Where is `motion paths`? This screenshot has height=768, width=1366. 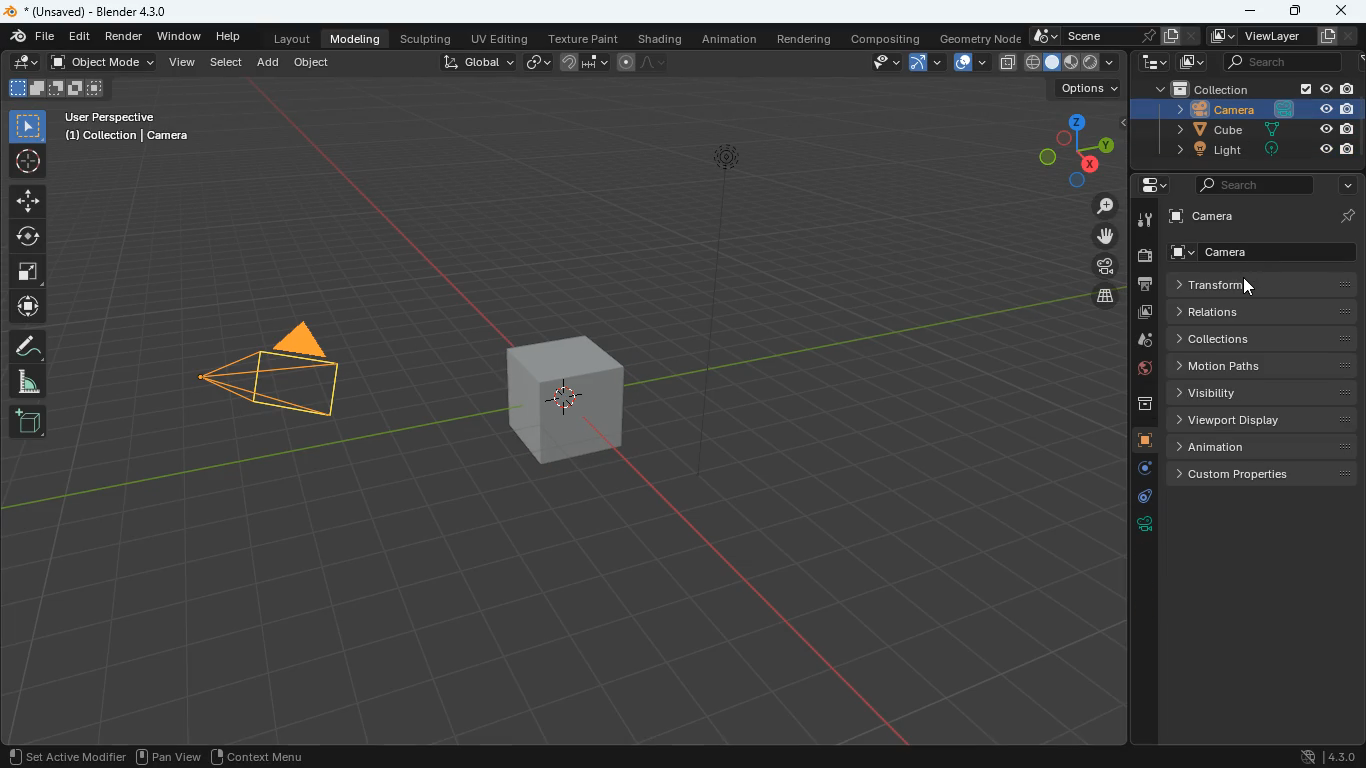
motion paths is located at coordinates (1264, 365).